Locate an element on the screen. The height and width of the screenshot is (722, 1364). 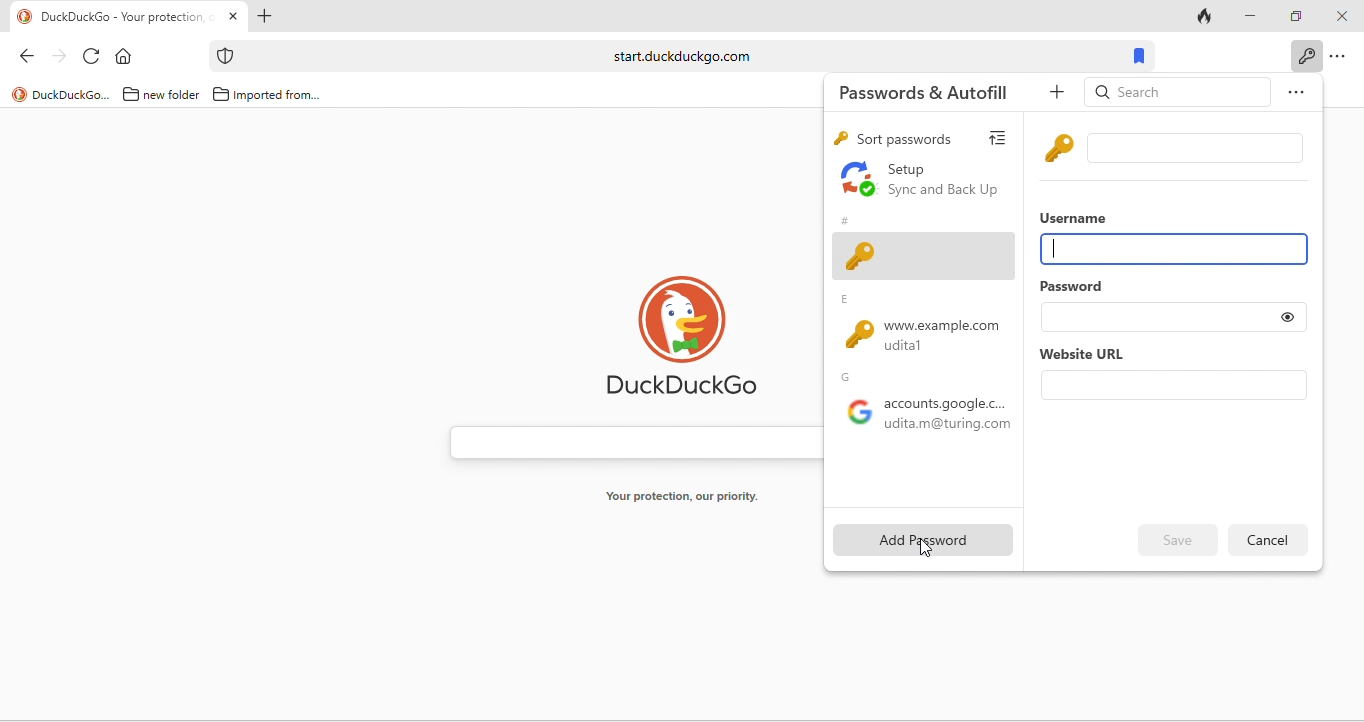
add password is located at coordinates (925, 539).